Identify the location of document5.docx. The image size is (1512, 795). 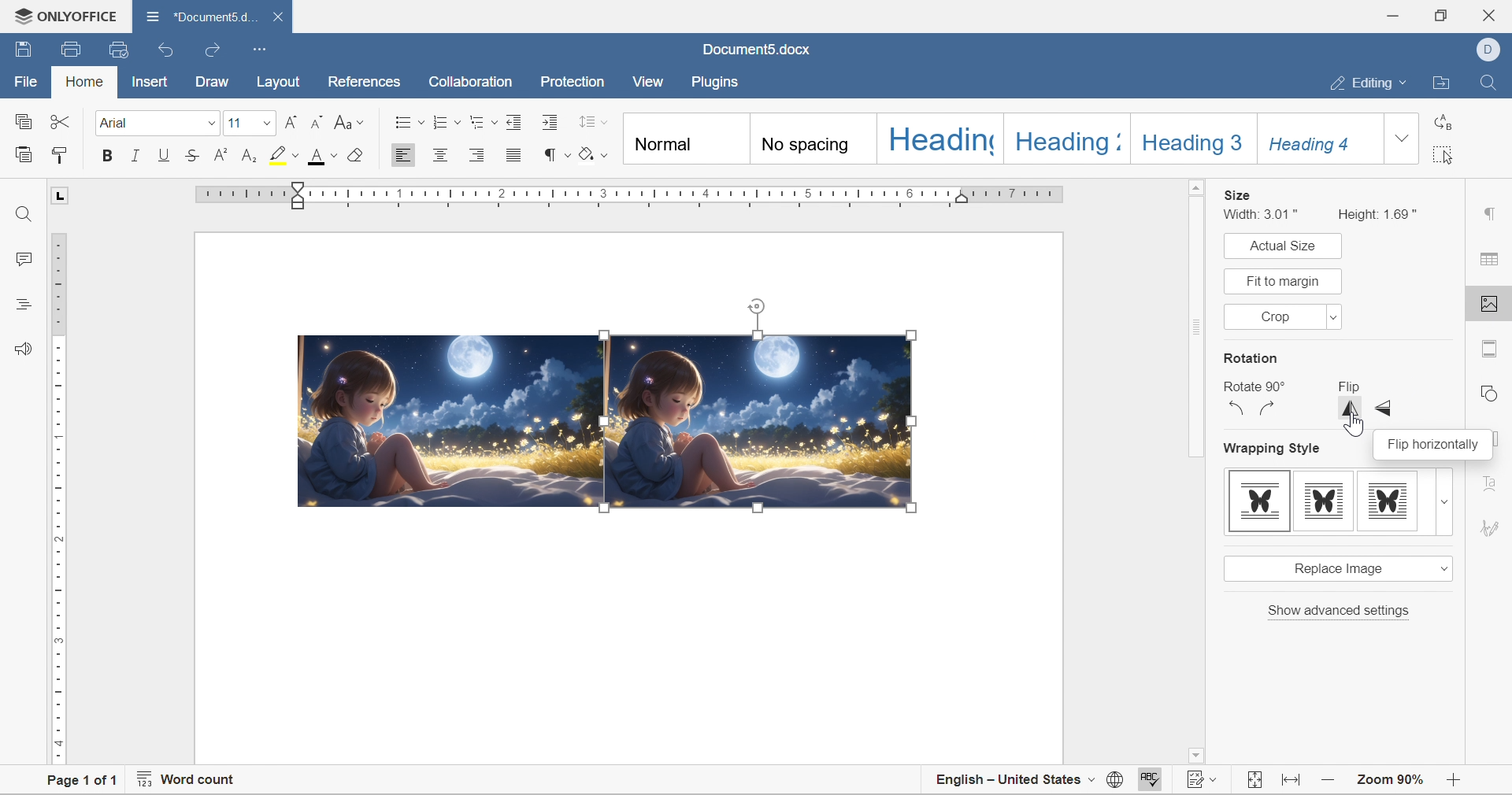
(198, 17).